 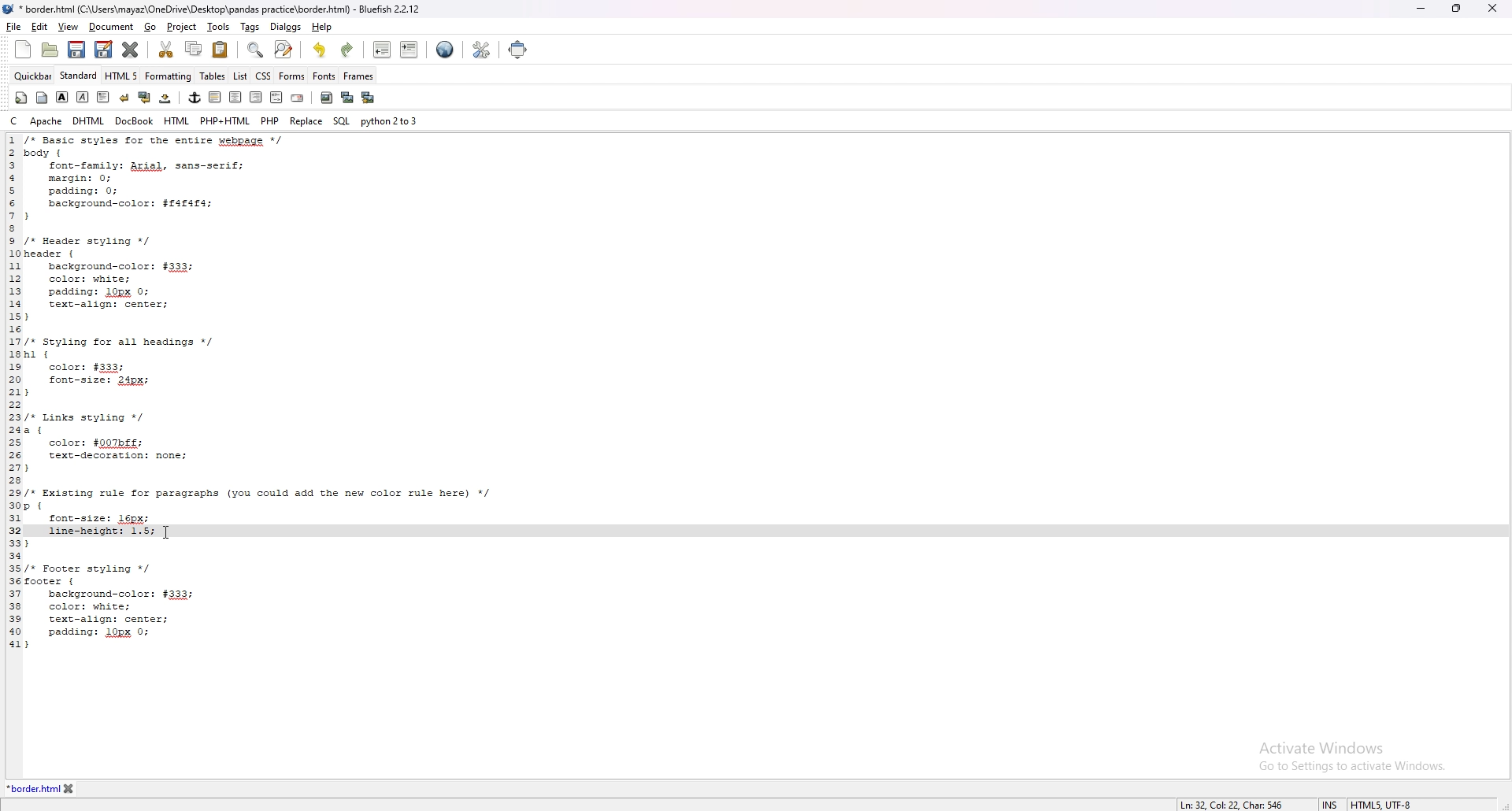 I want to click on edit preference, so click(x=480, y=49).